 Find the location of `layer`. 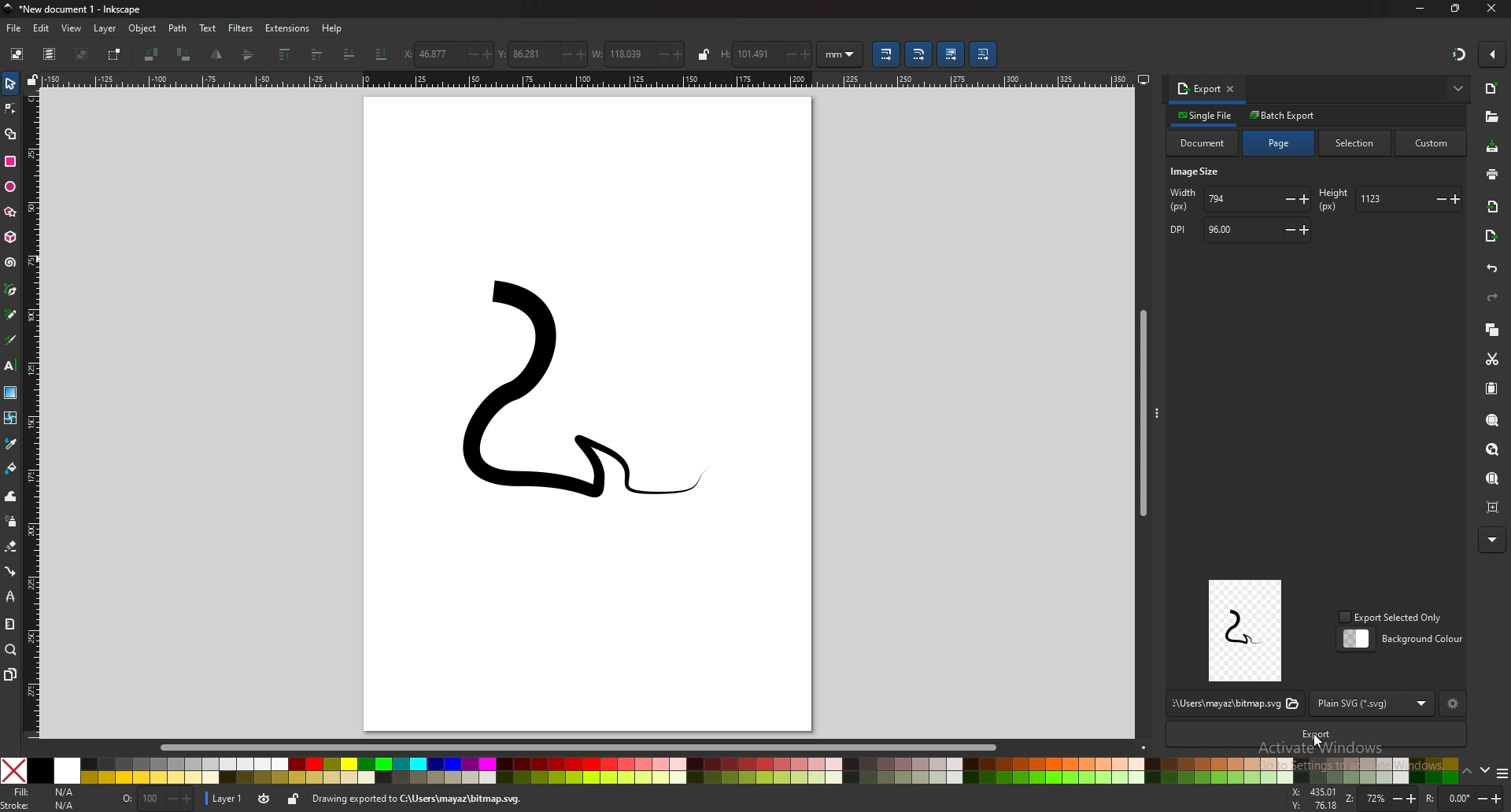

layer is located at coordinates (227, 797).